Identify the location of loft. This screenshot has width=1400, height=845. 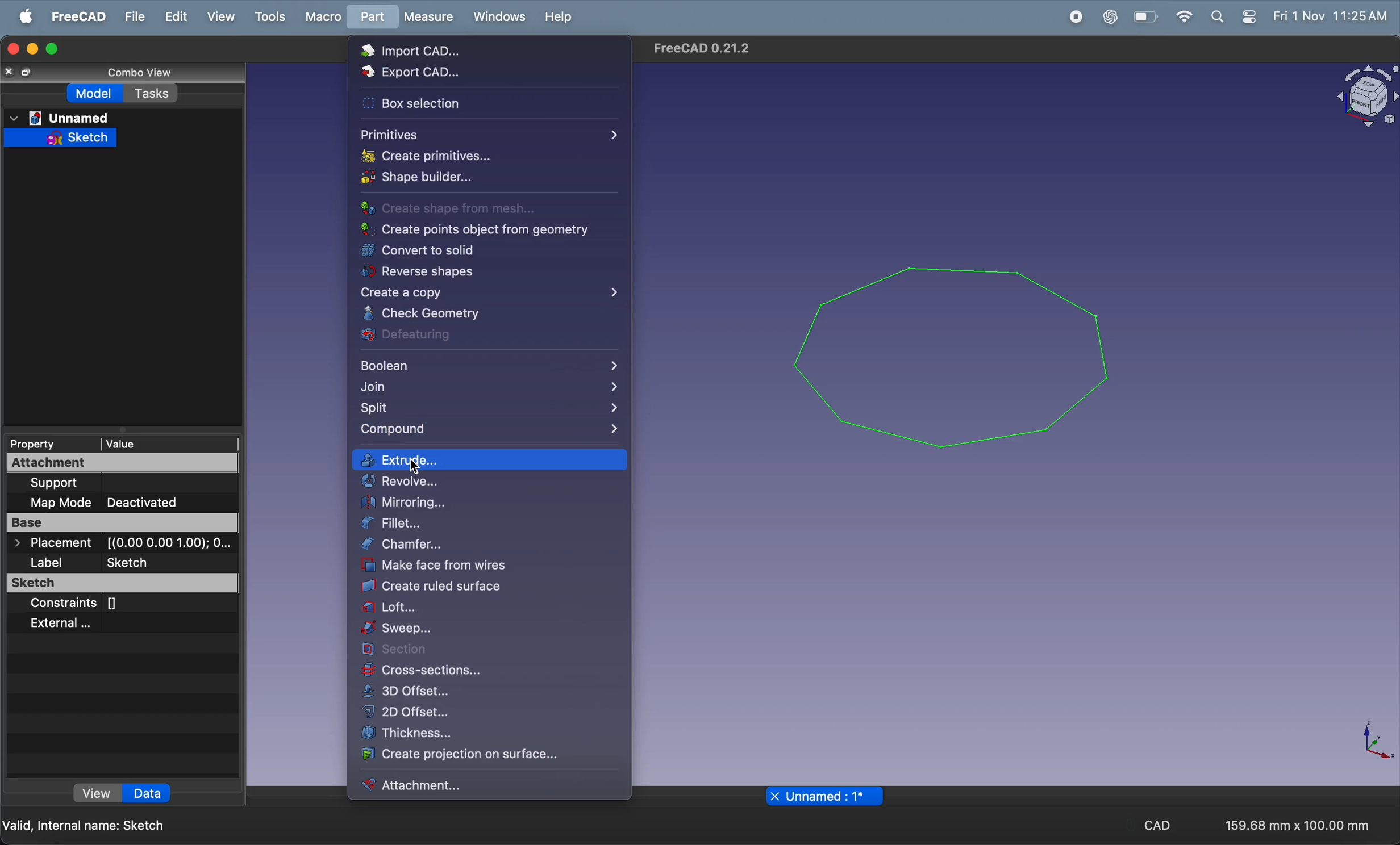
(490, 610).